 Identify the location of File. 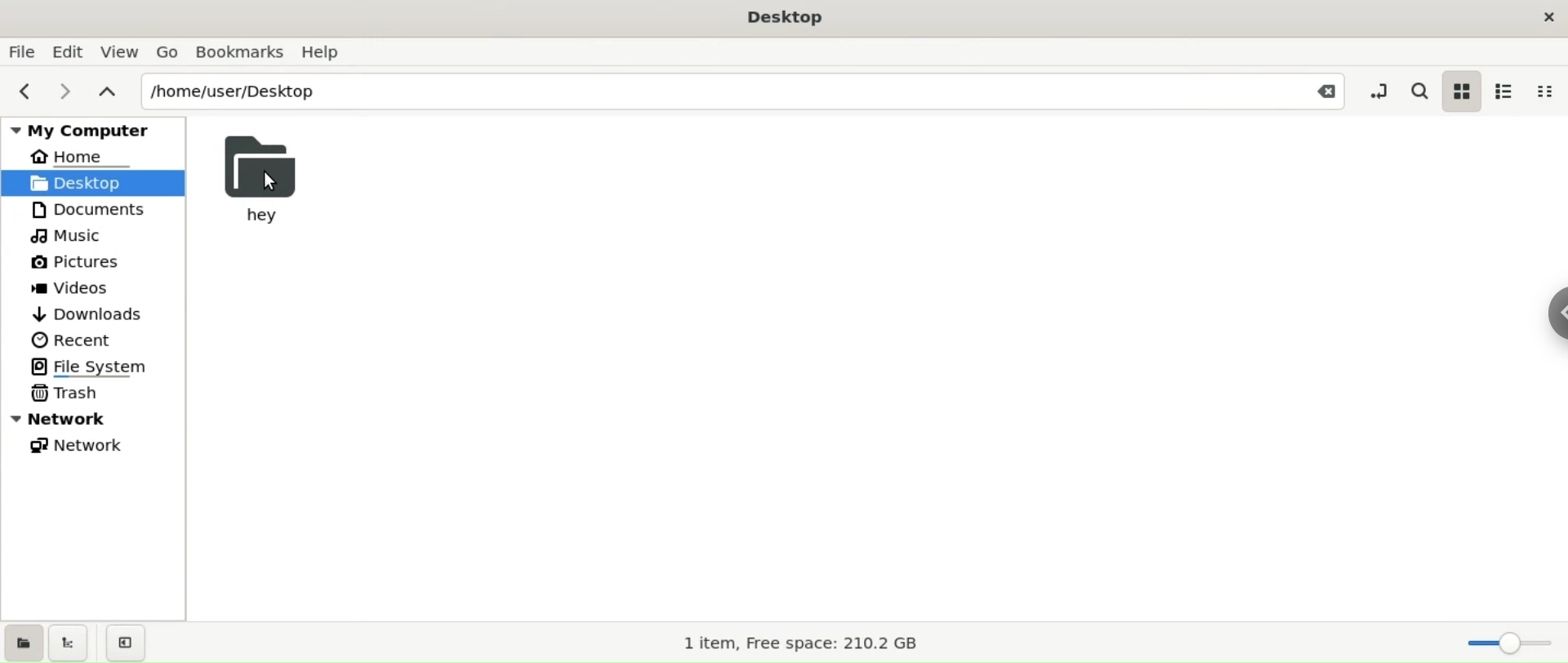
(23, 51).